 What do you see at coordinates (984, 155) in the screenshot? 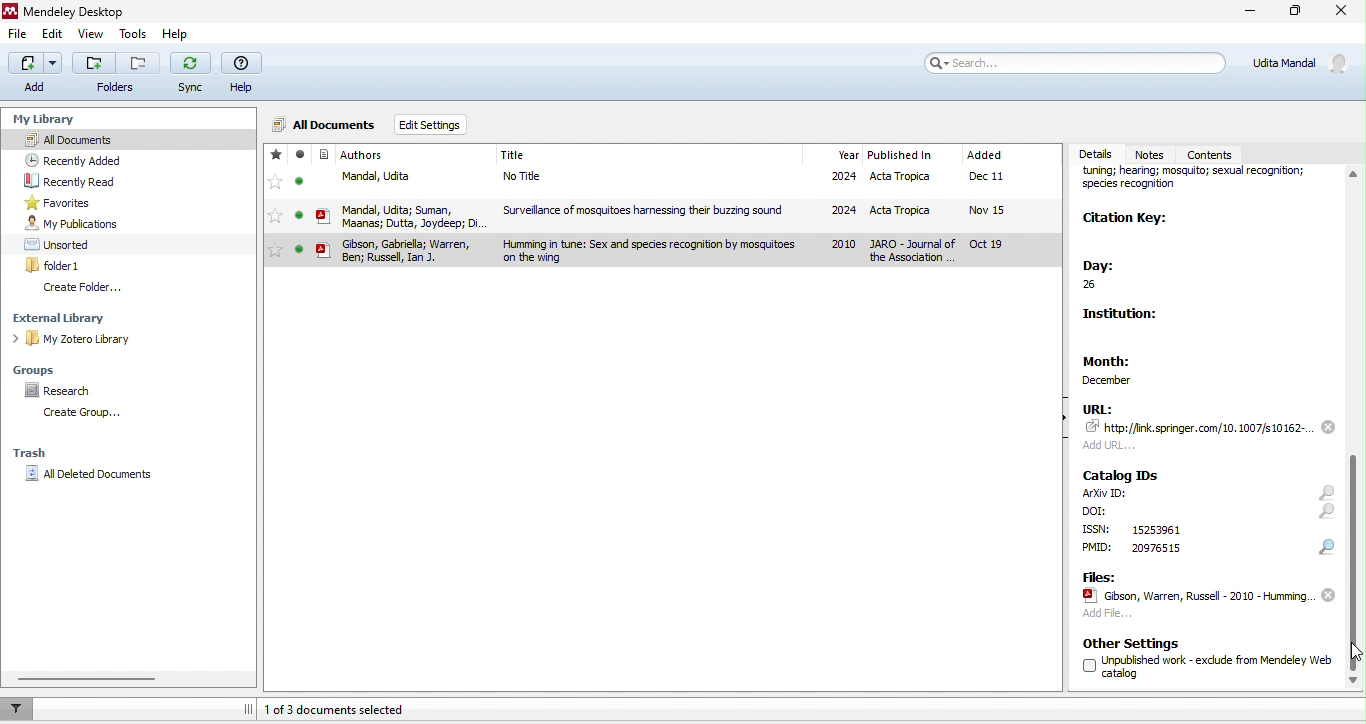
I see `added month` at bounding box center [984, 155].